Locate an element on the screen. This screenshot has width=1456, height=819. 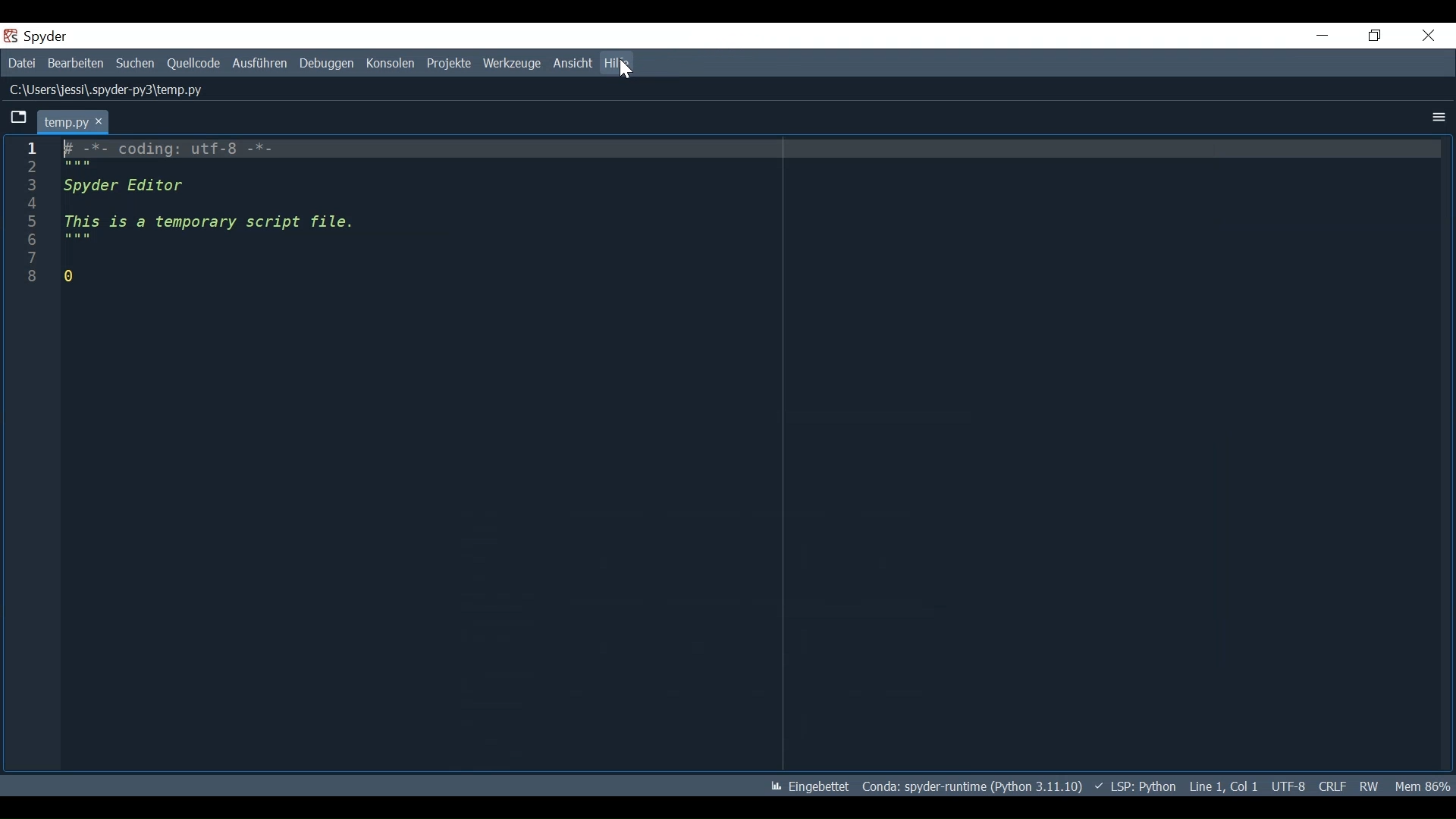
fF -*- coding: utf-o -*-

Spyder Editor

This is a temporary script file.
0 is located at coordinates (215, 215).